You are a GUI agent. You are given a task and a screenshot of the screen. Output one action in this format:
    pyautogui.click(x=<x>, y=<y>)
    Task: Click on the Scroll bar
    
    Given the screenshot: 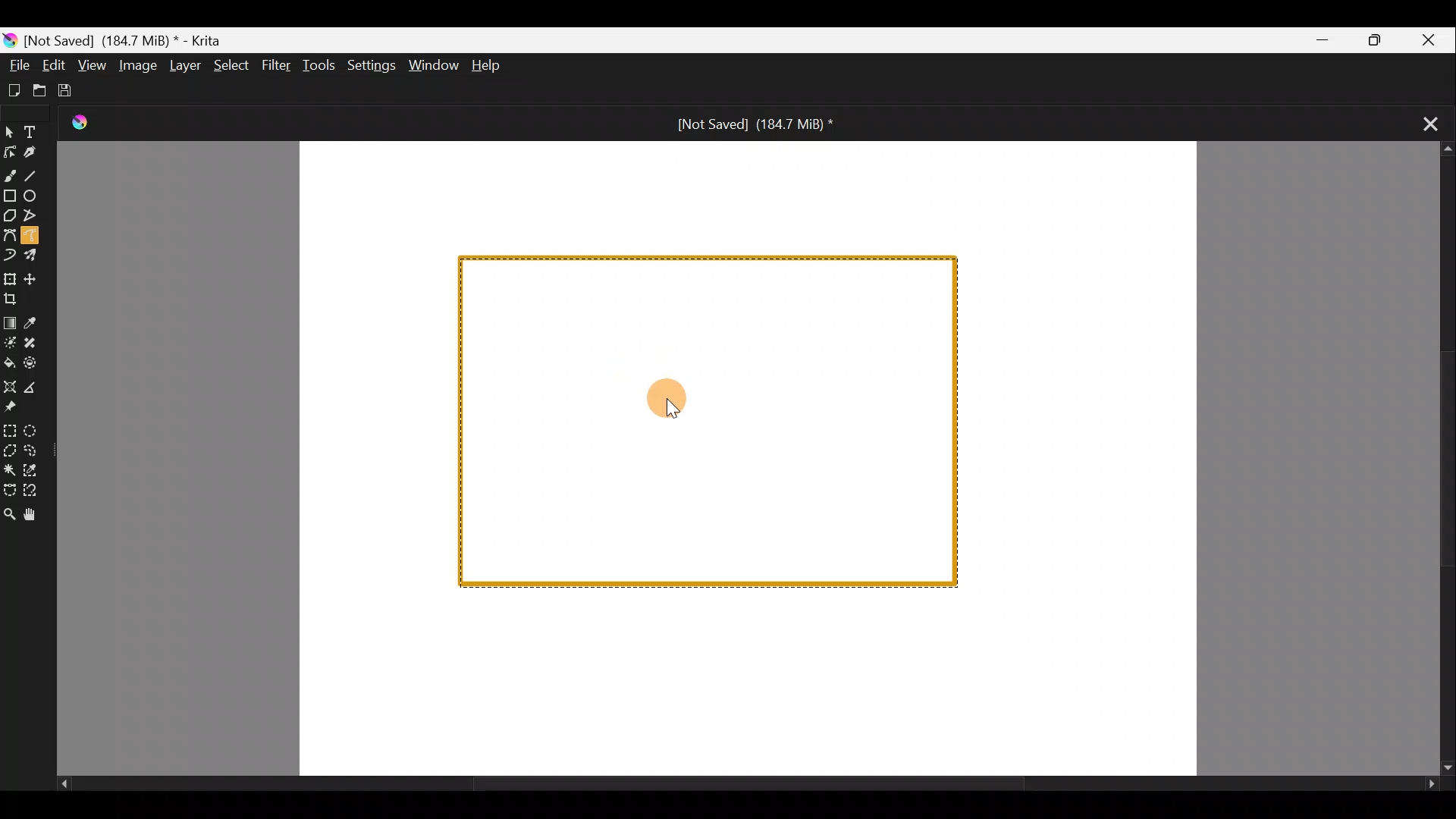 What is the action you would take?
    pyautogui.click(x=742, y=786)
    